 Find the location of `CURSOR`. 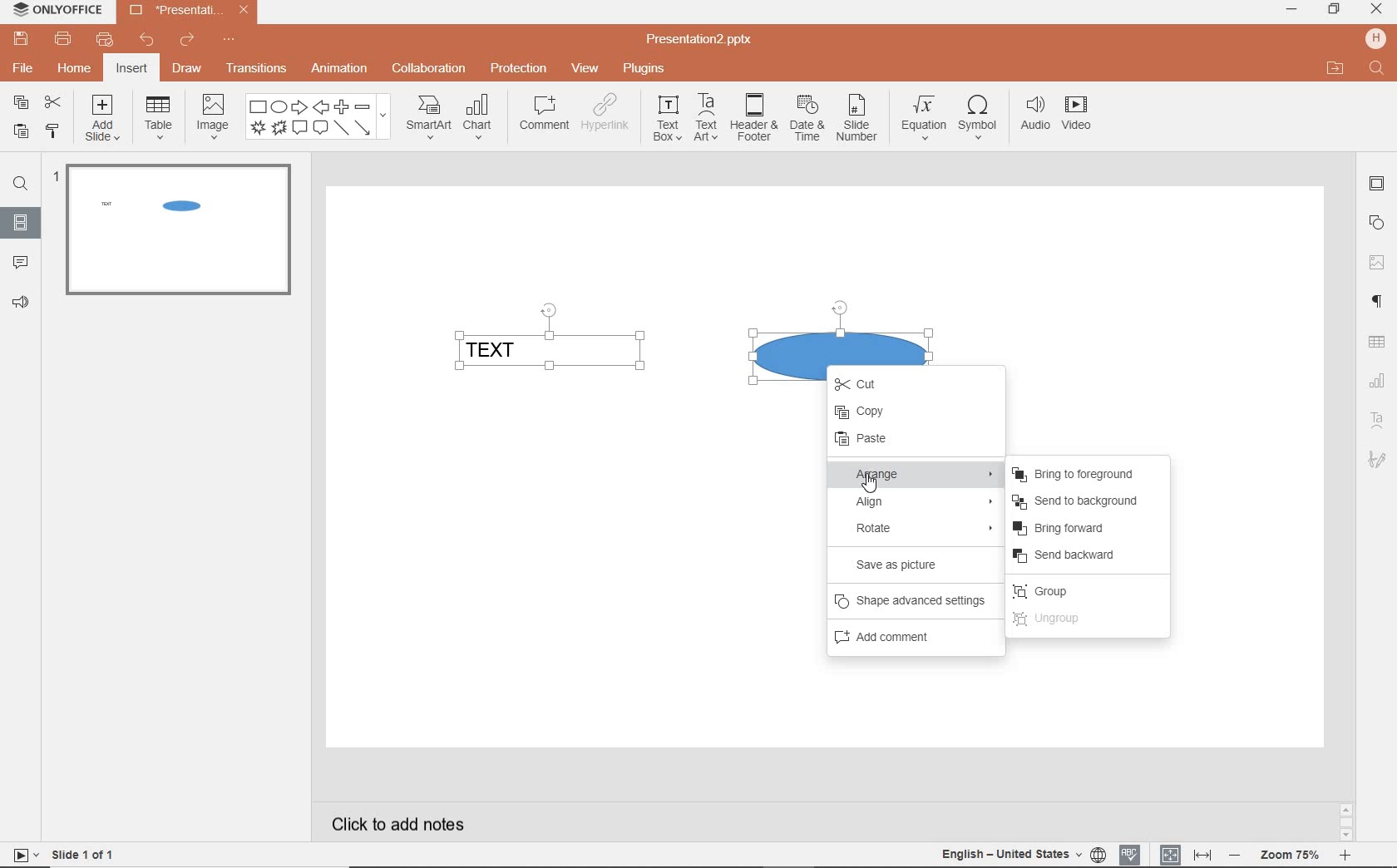

CURSOR is located at coordinates (870, 485).